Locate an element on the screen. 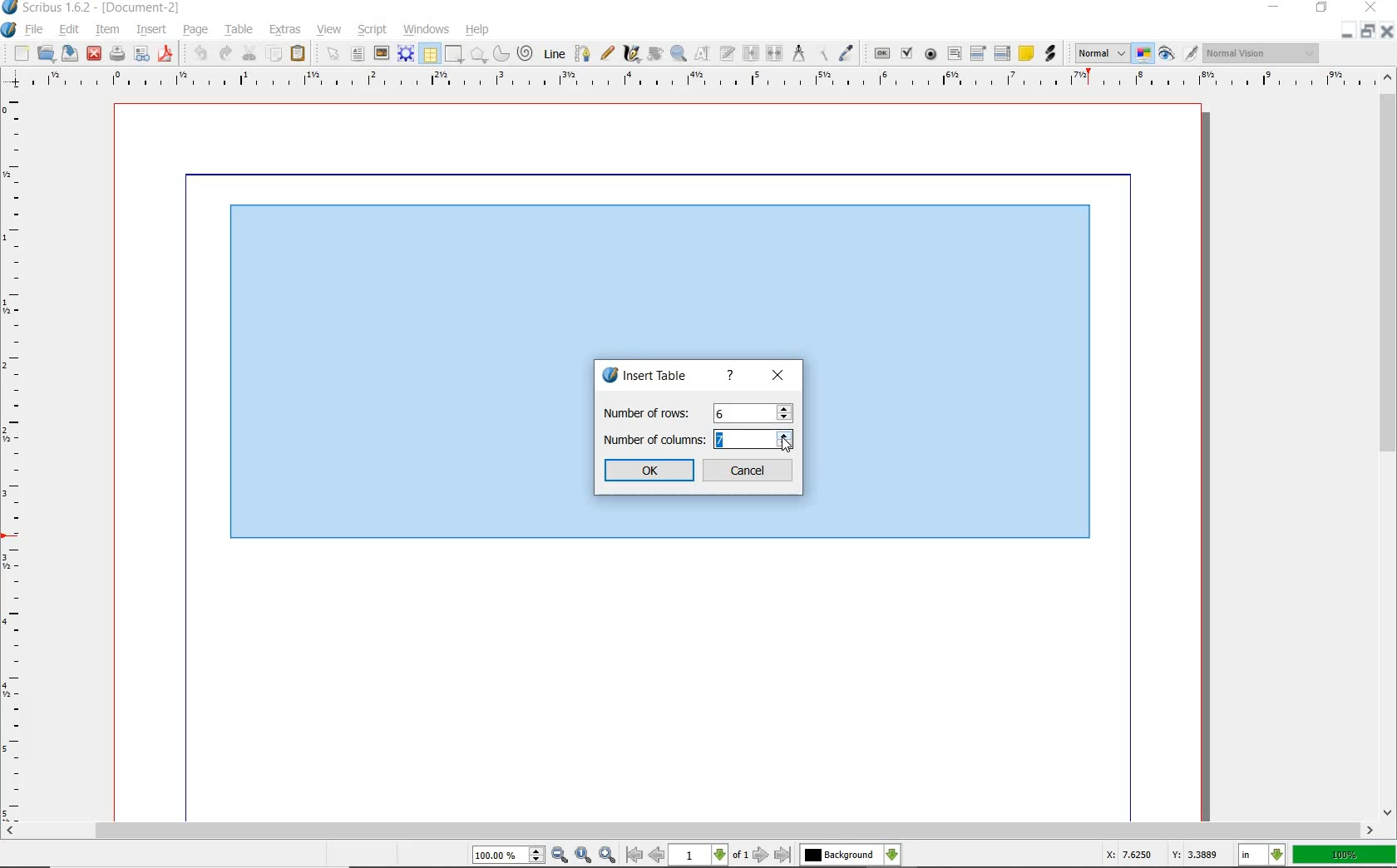 This screenshot has width=1397, height=868. restore is located at coordinates (1367, 31).